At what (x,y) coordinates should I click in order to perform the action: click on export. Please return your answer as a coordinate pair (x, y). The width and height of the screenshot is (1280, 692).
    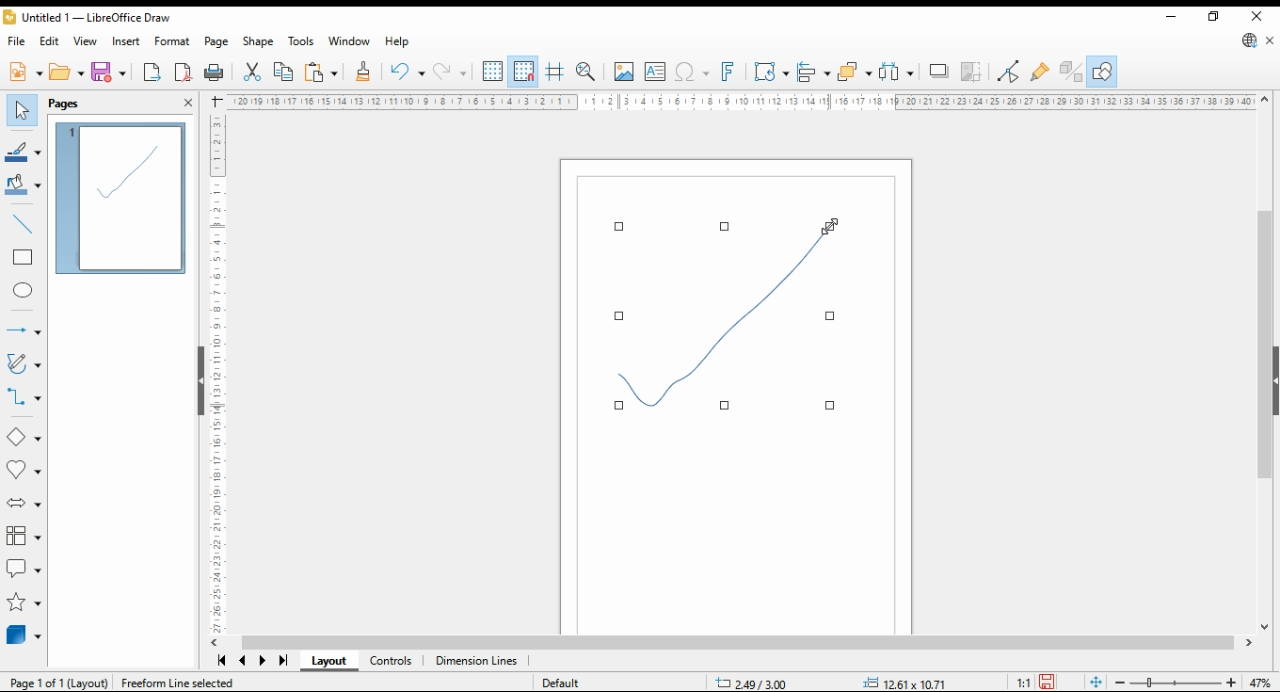
    Looking at the image, I should click on (152, 72).